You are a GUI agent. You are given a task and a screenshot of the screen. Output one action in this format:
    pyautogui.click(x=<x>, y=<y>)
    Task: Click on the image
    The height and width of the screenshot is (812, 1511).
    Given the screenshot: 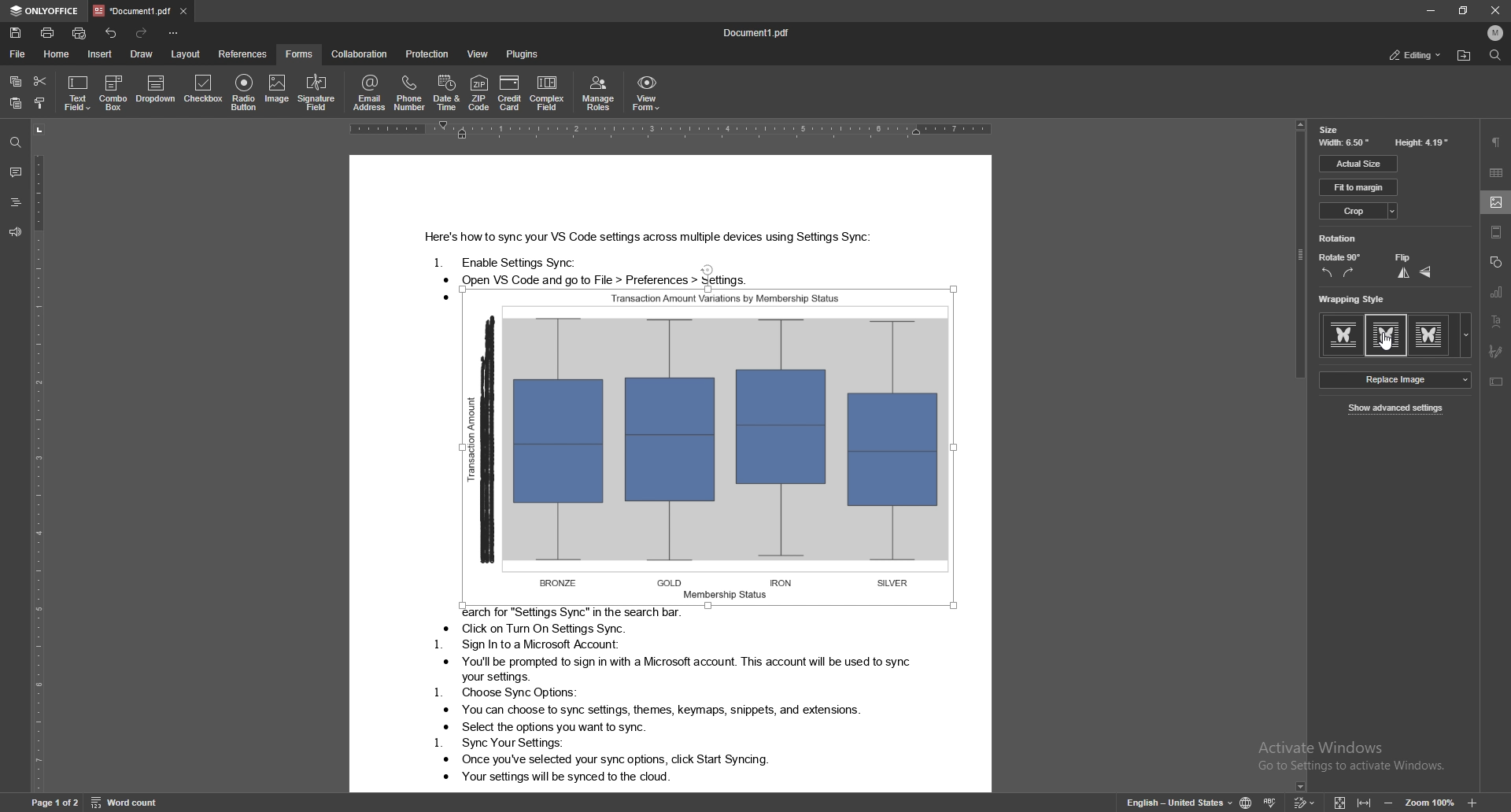 What is the action you would take?
    pyautogui.click(x=276, y=90)
    